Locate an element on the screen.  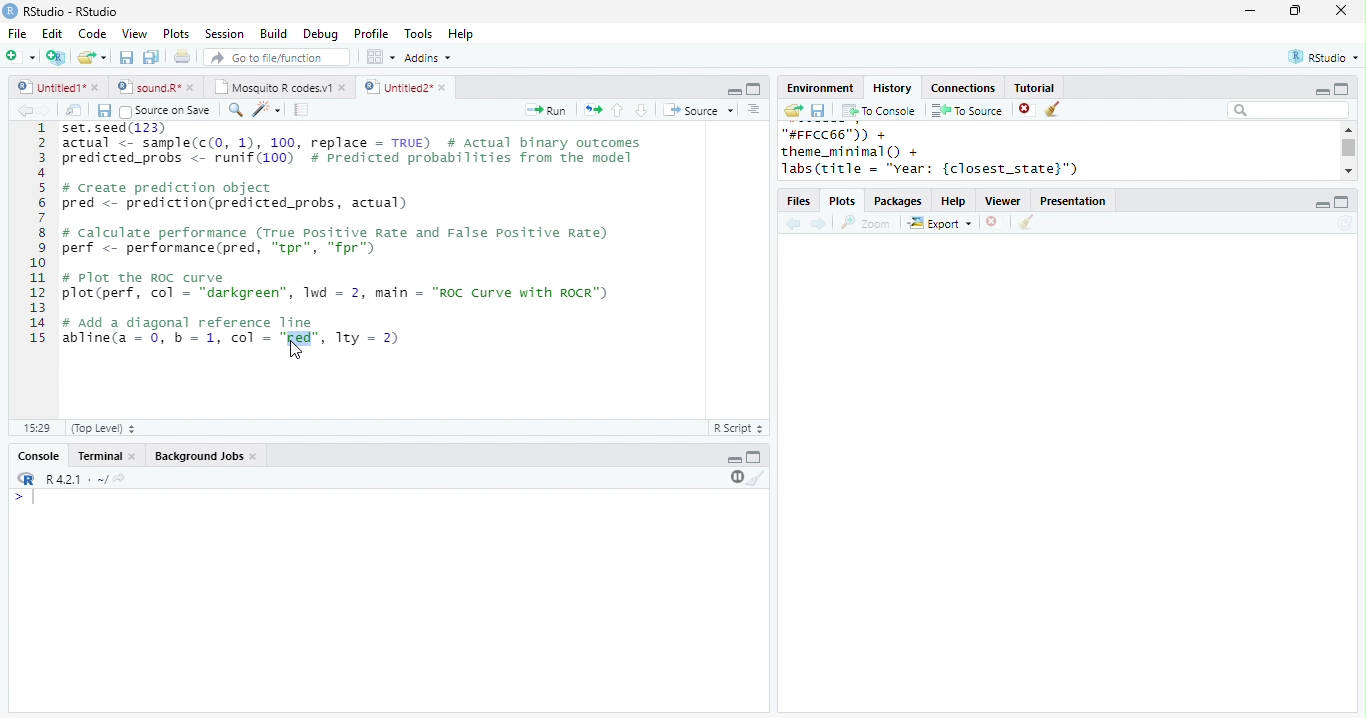
To source is located at coordinates (967, 110).